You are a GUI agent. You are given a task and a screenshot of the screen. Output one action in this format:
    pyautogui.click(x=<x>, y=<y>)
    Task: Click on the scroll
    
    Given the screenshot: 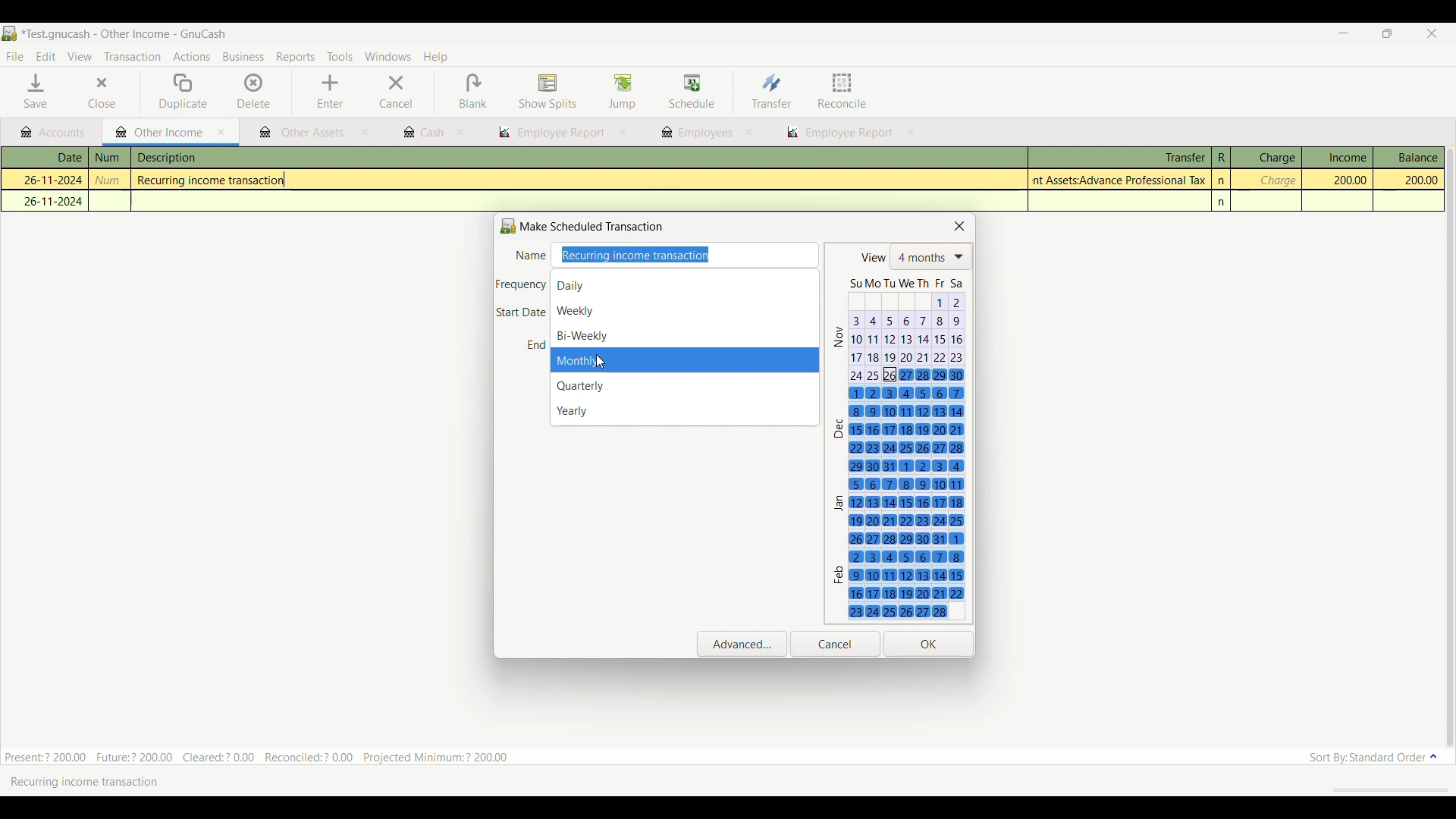 What is the action you would take?
    pyautogui.click(x=1382, y=789)
    